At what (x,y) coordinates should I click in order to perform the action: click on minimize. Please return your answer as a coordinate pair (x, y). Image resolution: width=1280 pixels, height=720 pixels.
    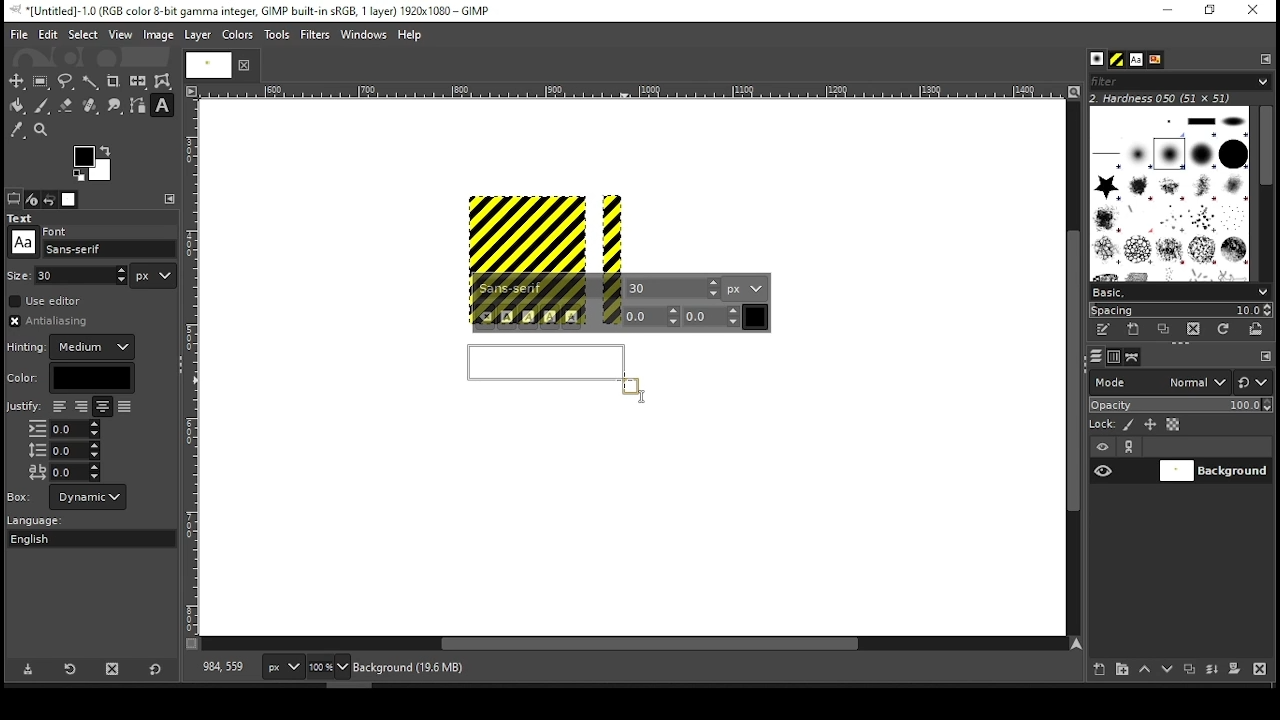
    Looking at the image, I should click on (1166, 11).